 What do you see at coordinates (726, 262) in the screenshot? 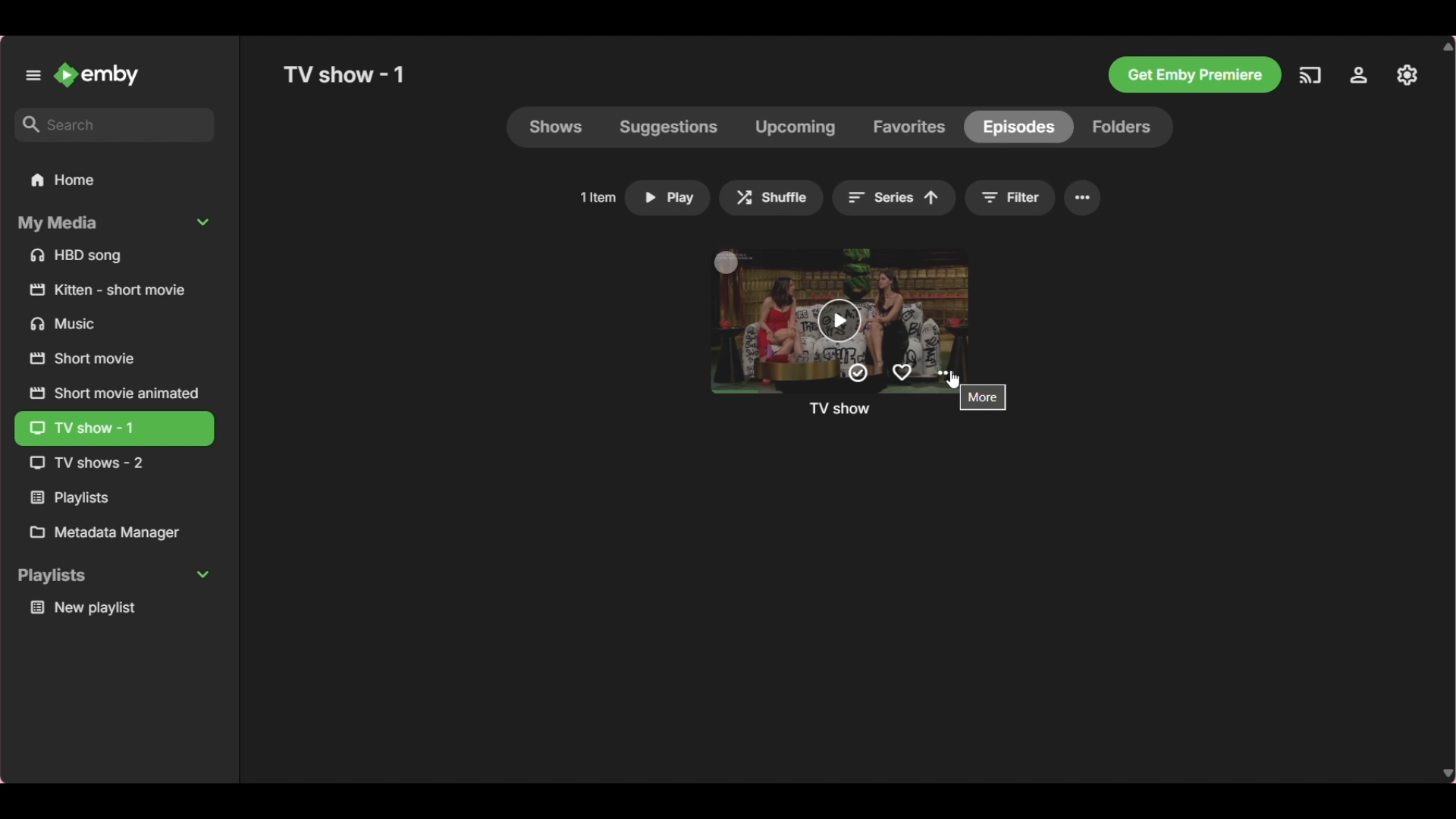
I see `Multi-select` at bounding box center [726, 262].